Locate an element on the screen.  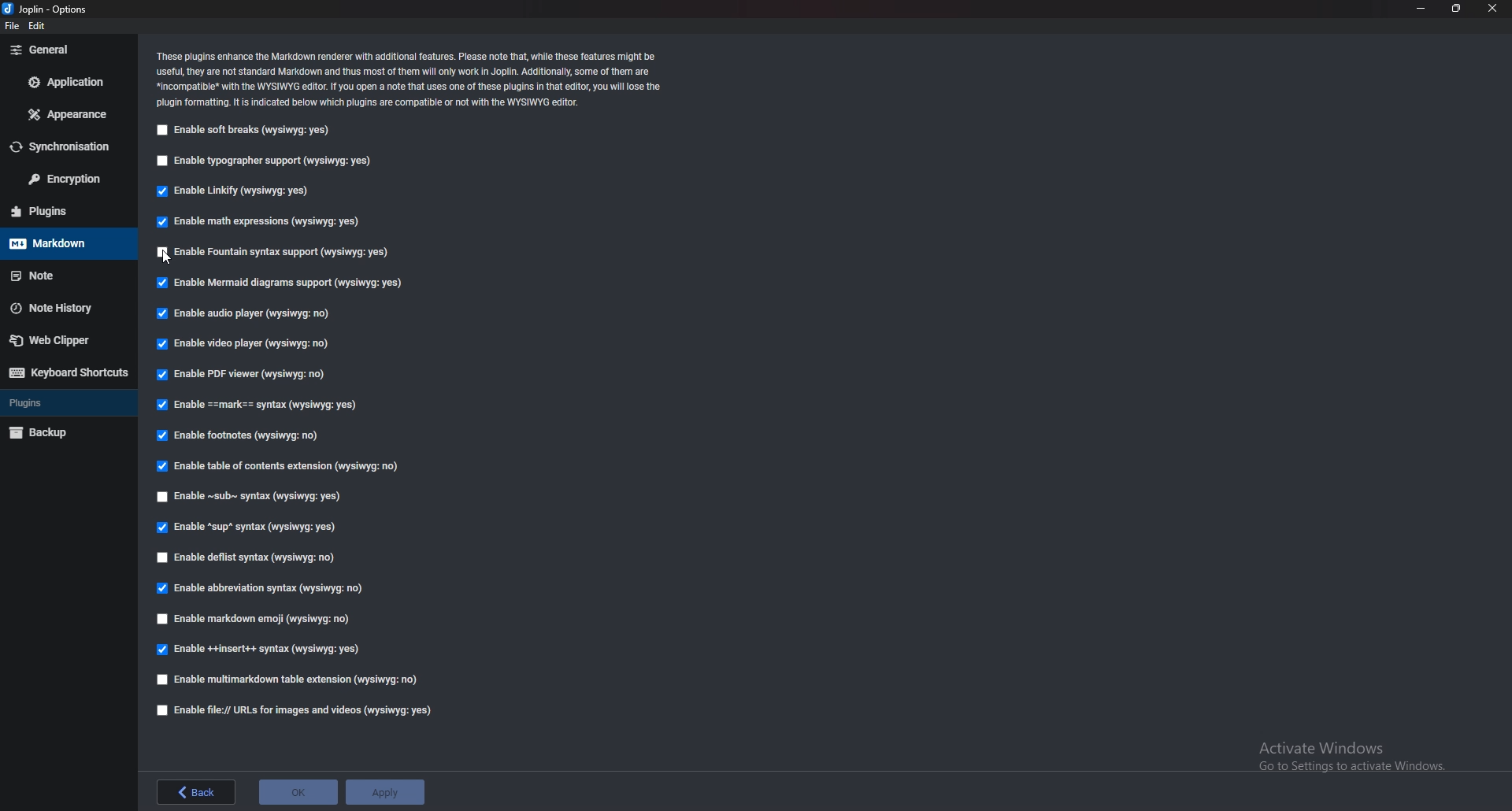
minimize is located at coordinates (1422, 8).